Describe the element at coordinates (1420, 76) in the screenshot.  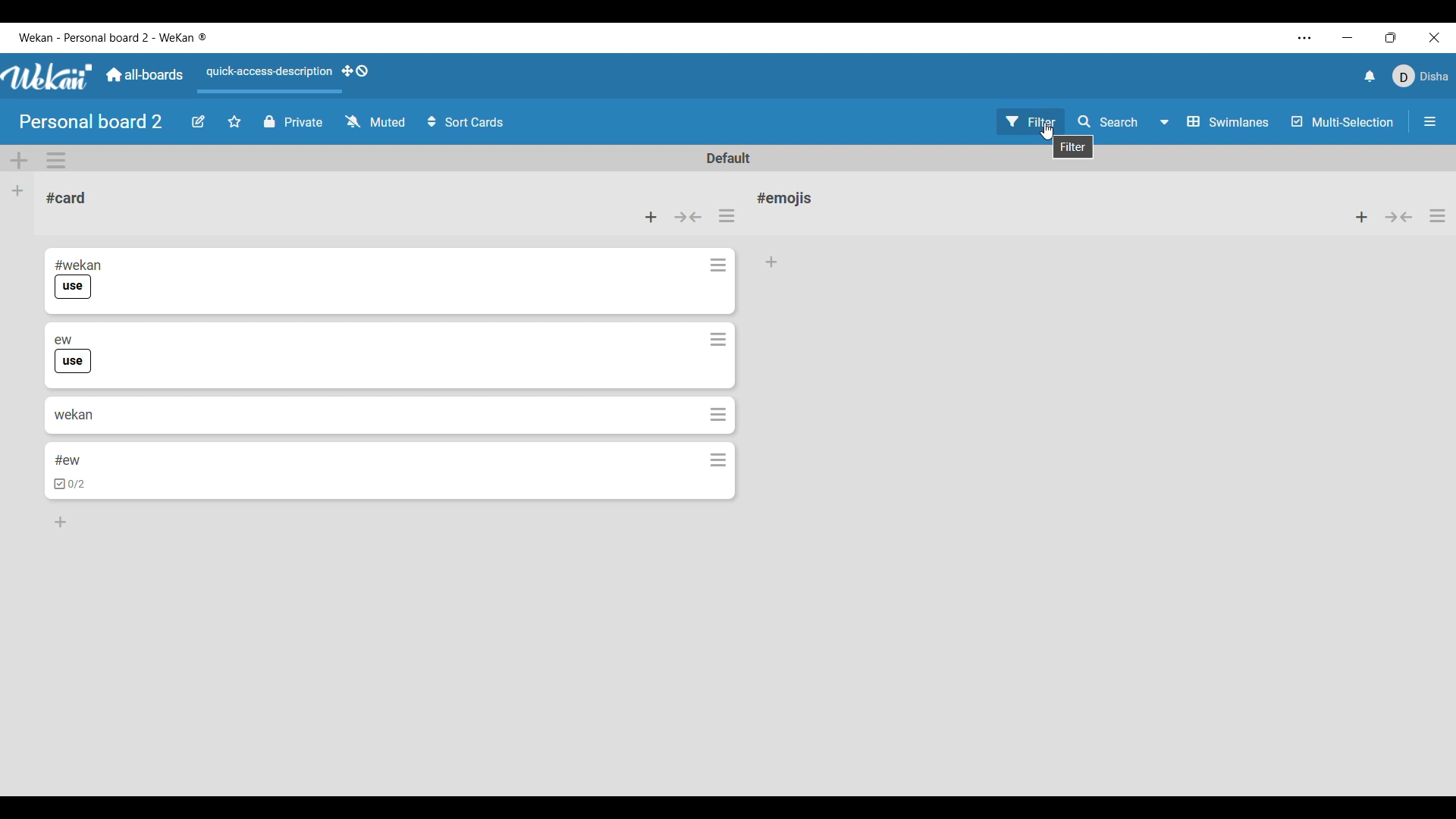
I see `Current account` at that location.